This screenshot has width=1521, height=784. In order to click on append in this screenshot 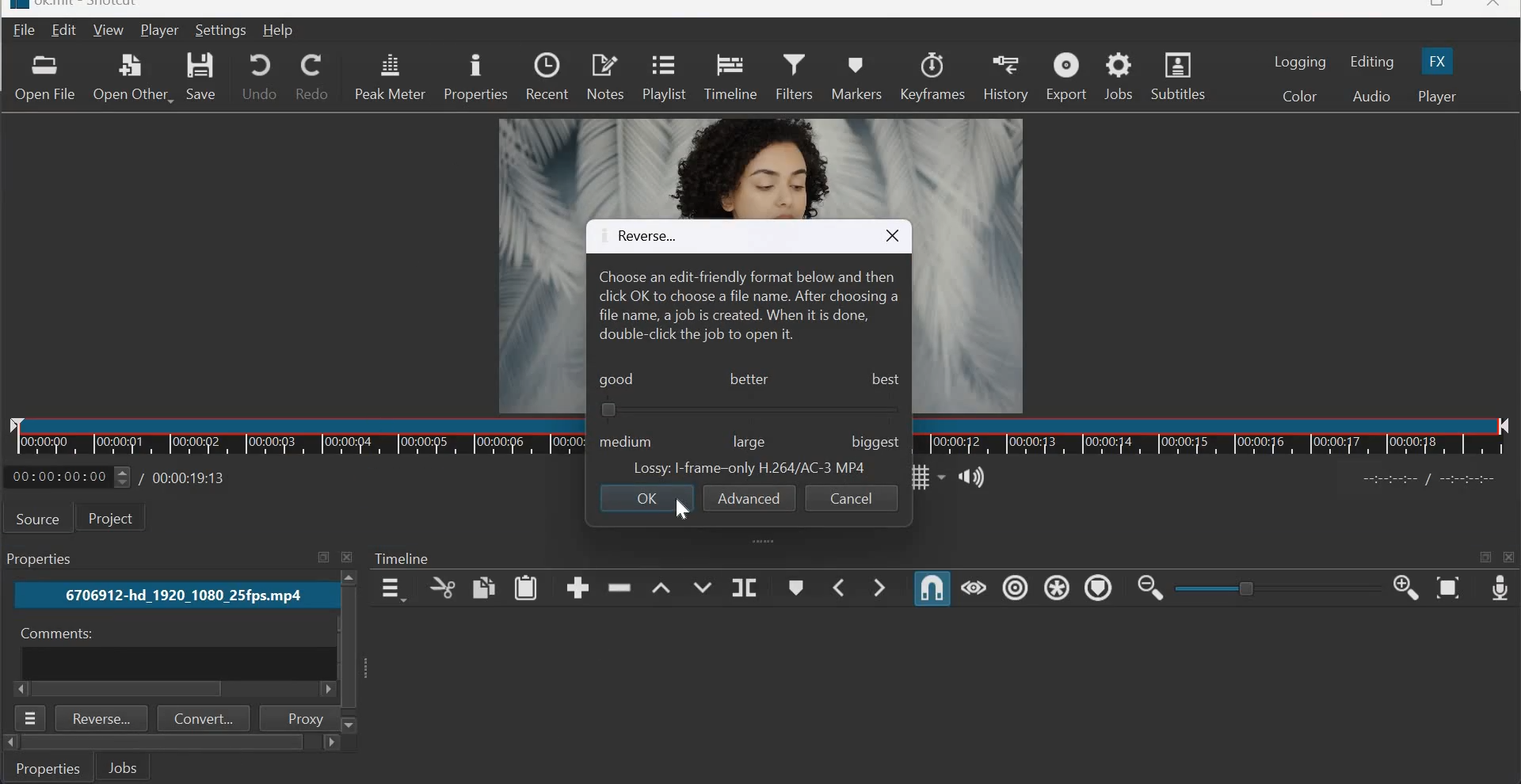, I will do `click(578, 588)`.